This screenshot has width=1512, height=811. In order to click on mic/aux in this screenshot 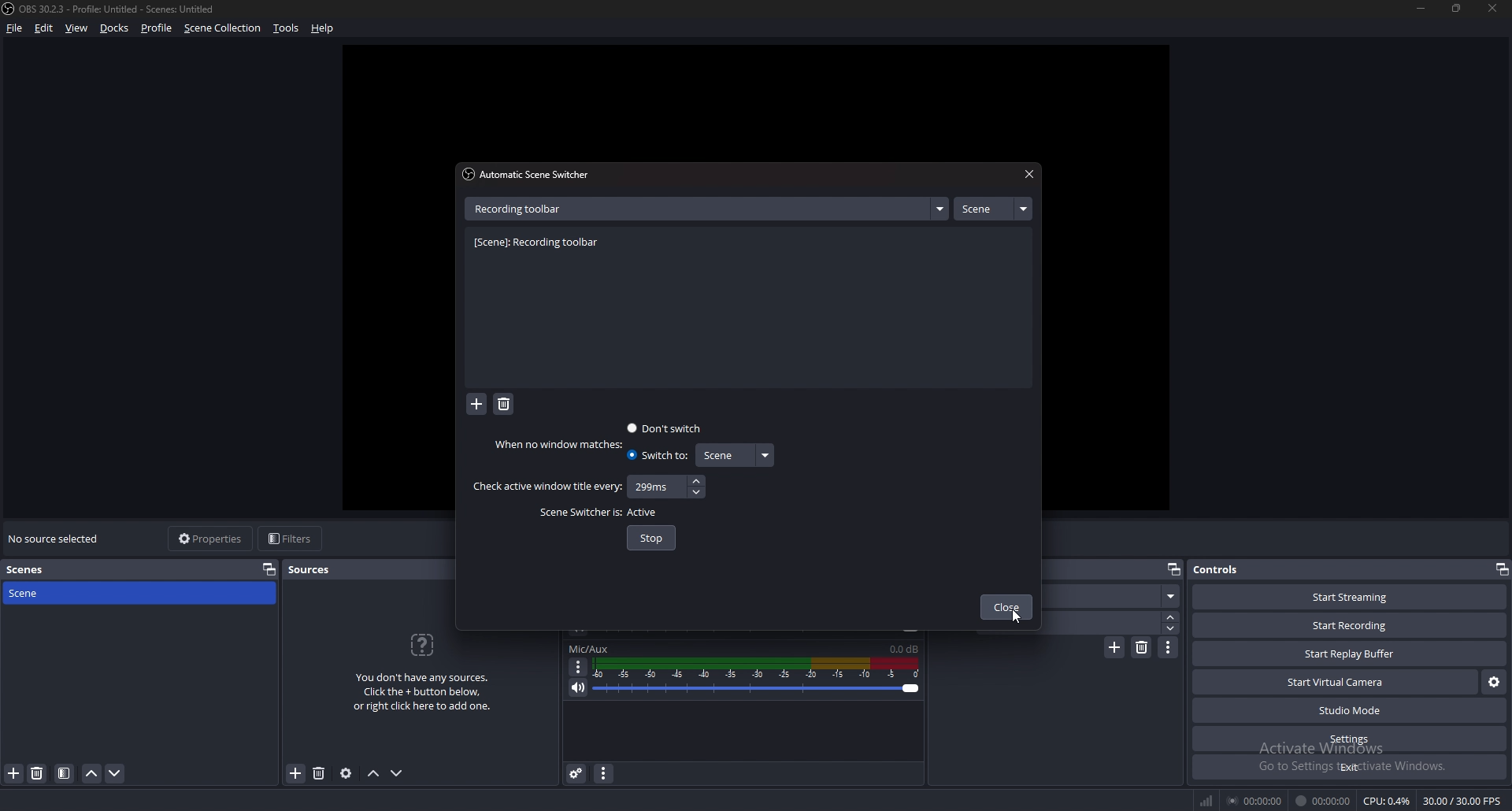, I will do `click(589, 649)`.